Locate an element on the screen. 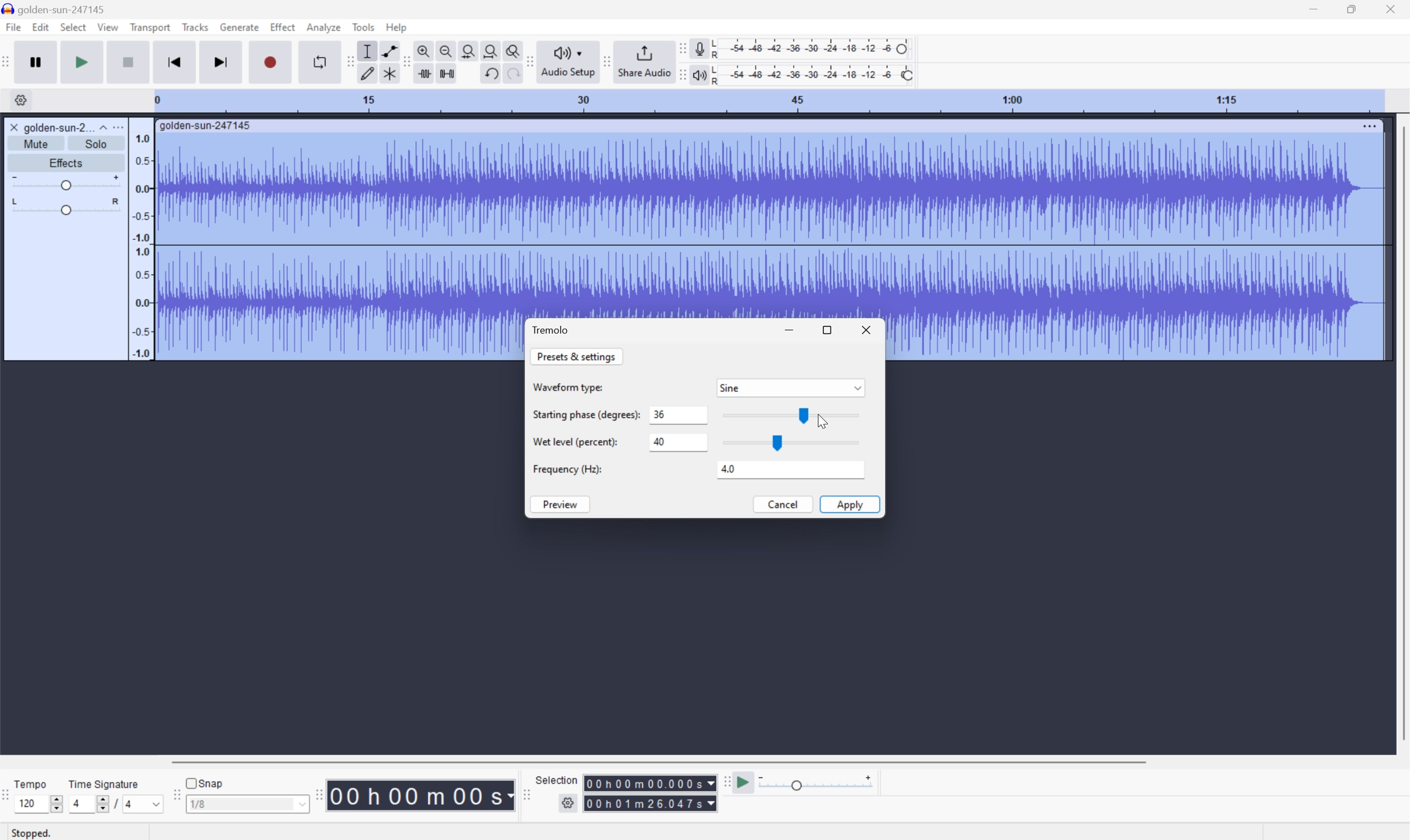  Audacity selection toolbar is located at coordinates (526, 798).